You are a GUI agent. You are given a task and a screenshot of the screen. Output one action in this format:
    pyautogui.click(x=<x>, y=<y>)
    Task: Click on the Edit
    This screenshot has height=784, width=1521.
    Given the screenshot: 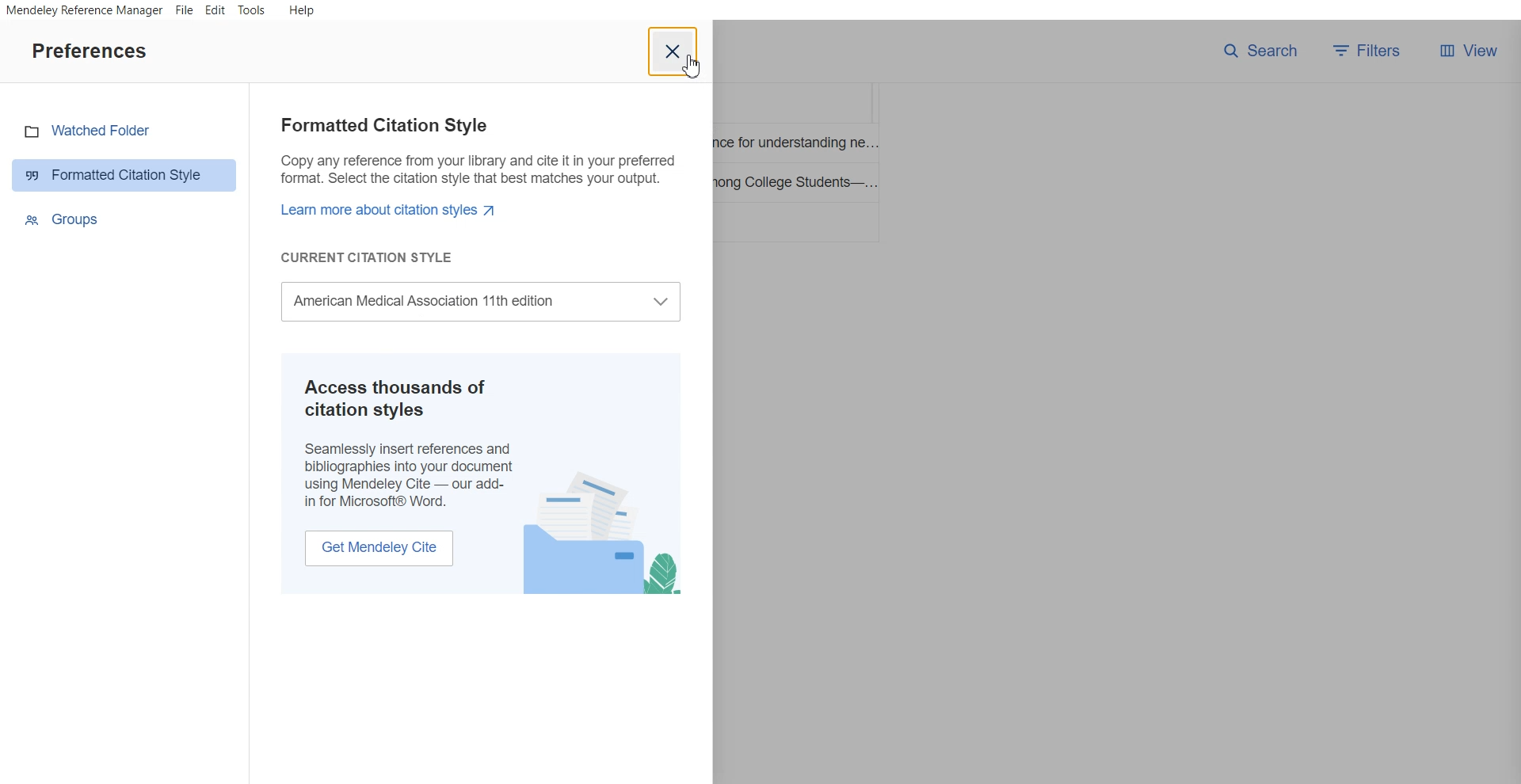 What is the action you would take?
    pyautogui.click(x=215, y=11)
    